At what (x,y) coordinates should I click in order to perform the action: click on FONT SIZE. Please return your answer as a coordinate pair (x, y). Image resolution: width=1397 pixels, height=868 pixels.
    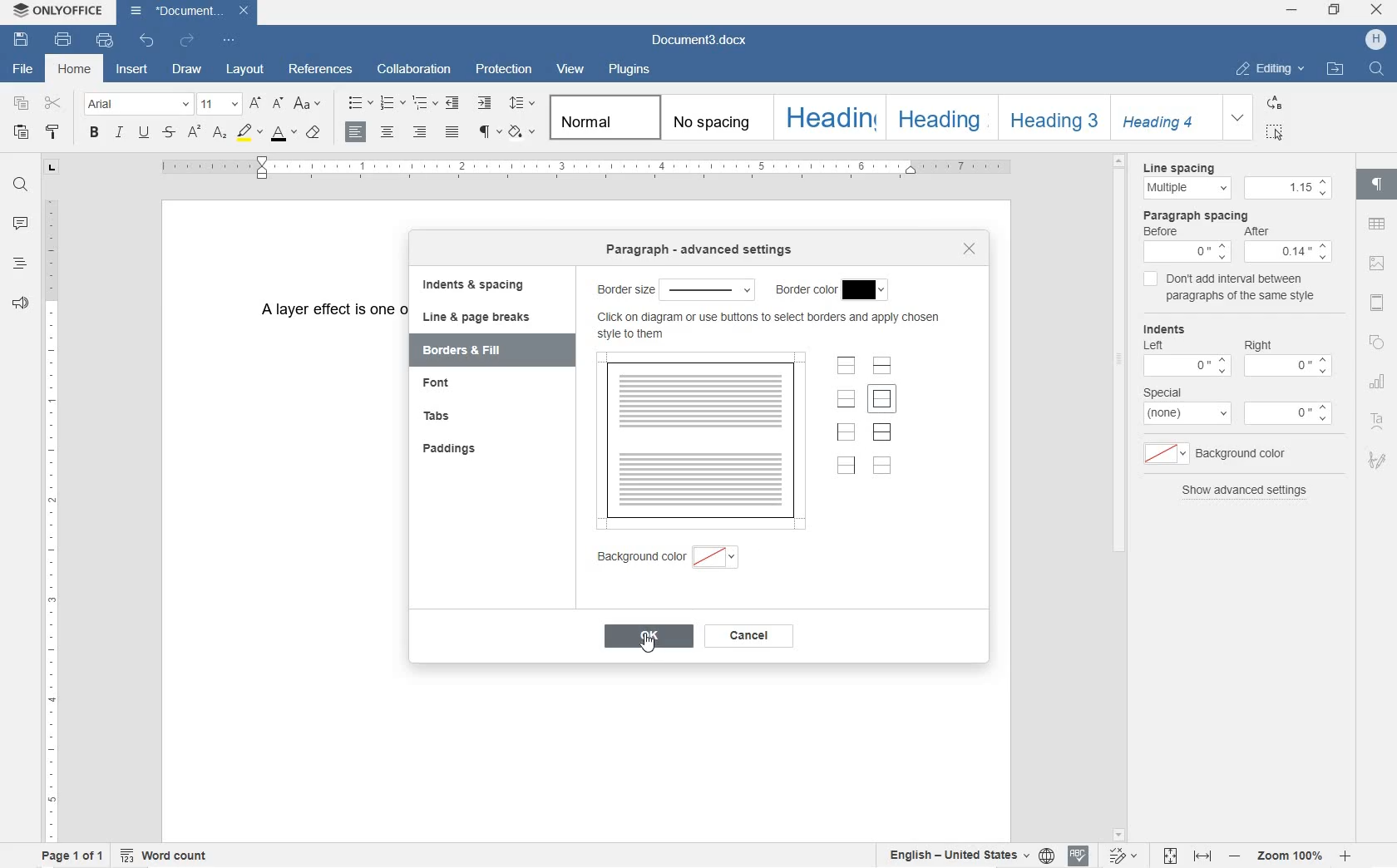
    Looking at the image, I should click on (218, 106).